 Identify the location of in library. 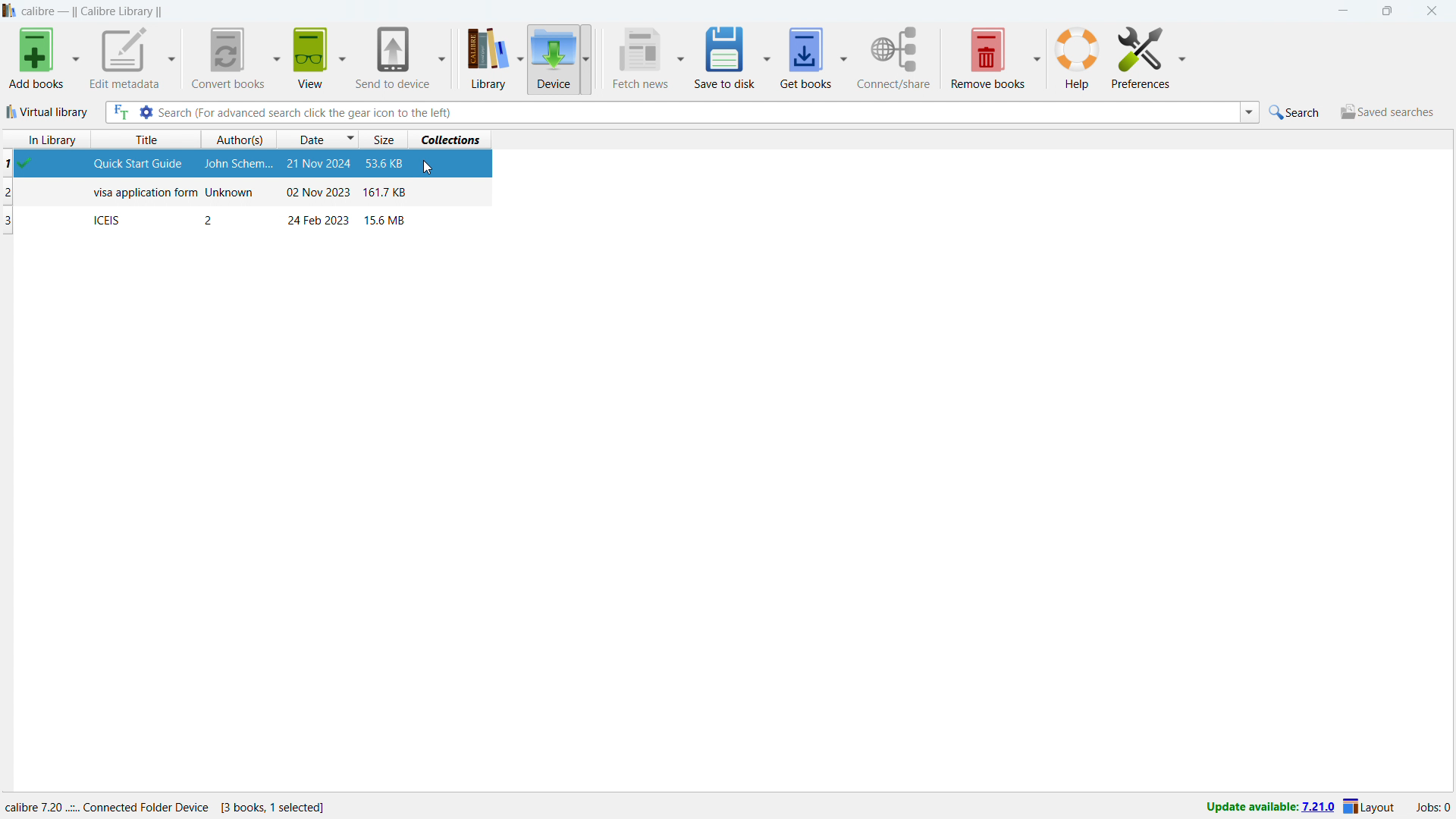
(47, 140).